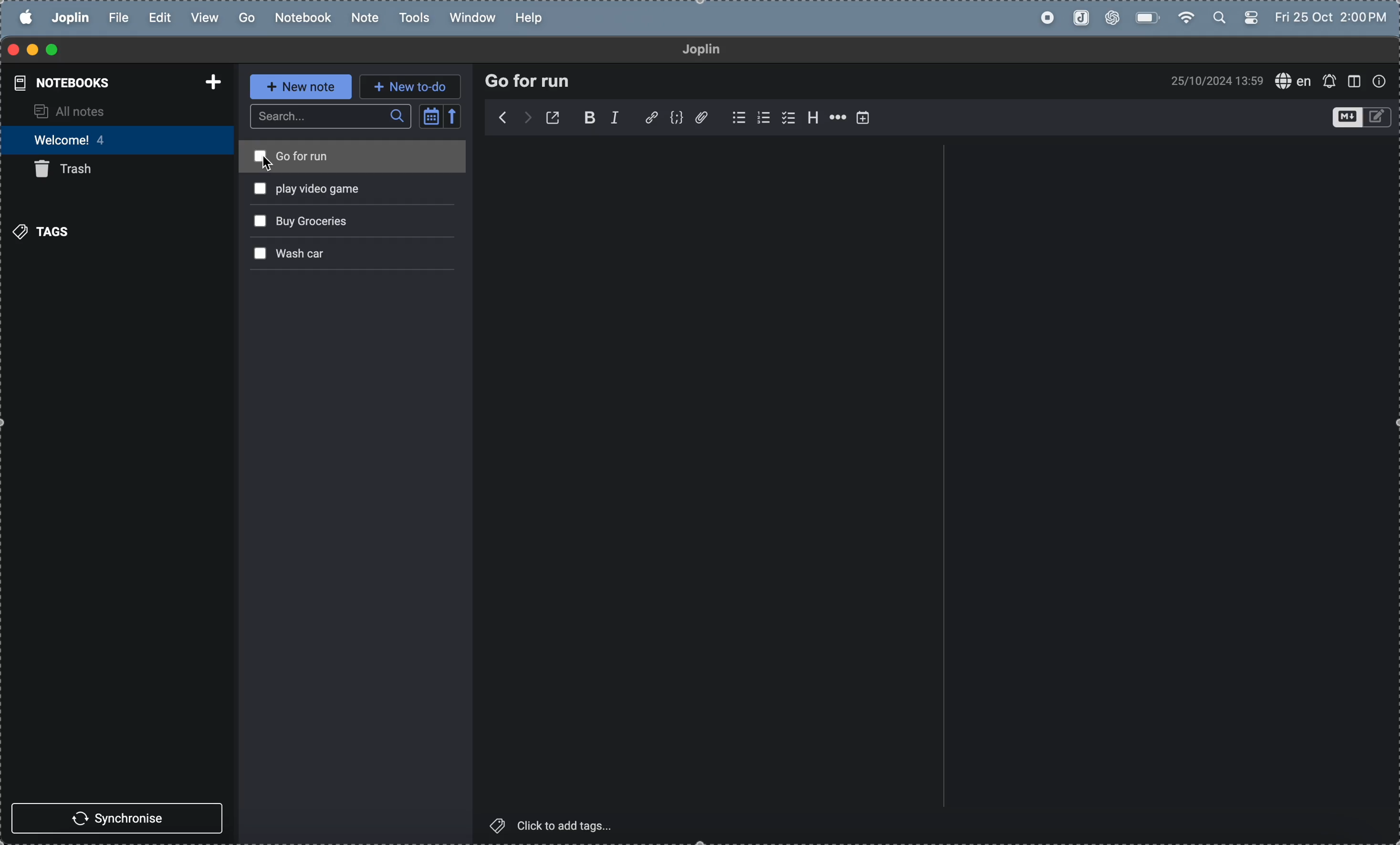 The height and width of the screenshot is (845, 1400). I want to click on chat gpt, so click(1114, 18).